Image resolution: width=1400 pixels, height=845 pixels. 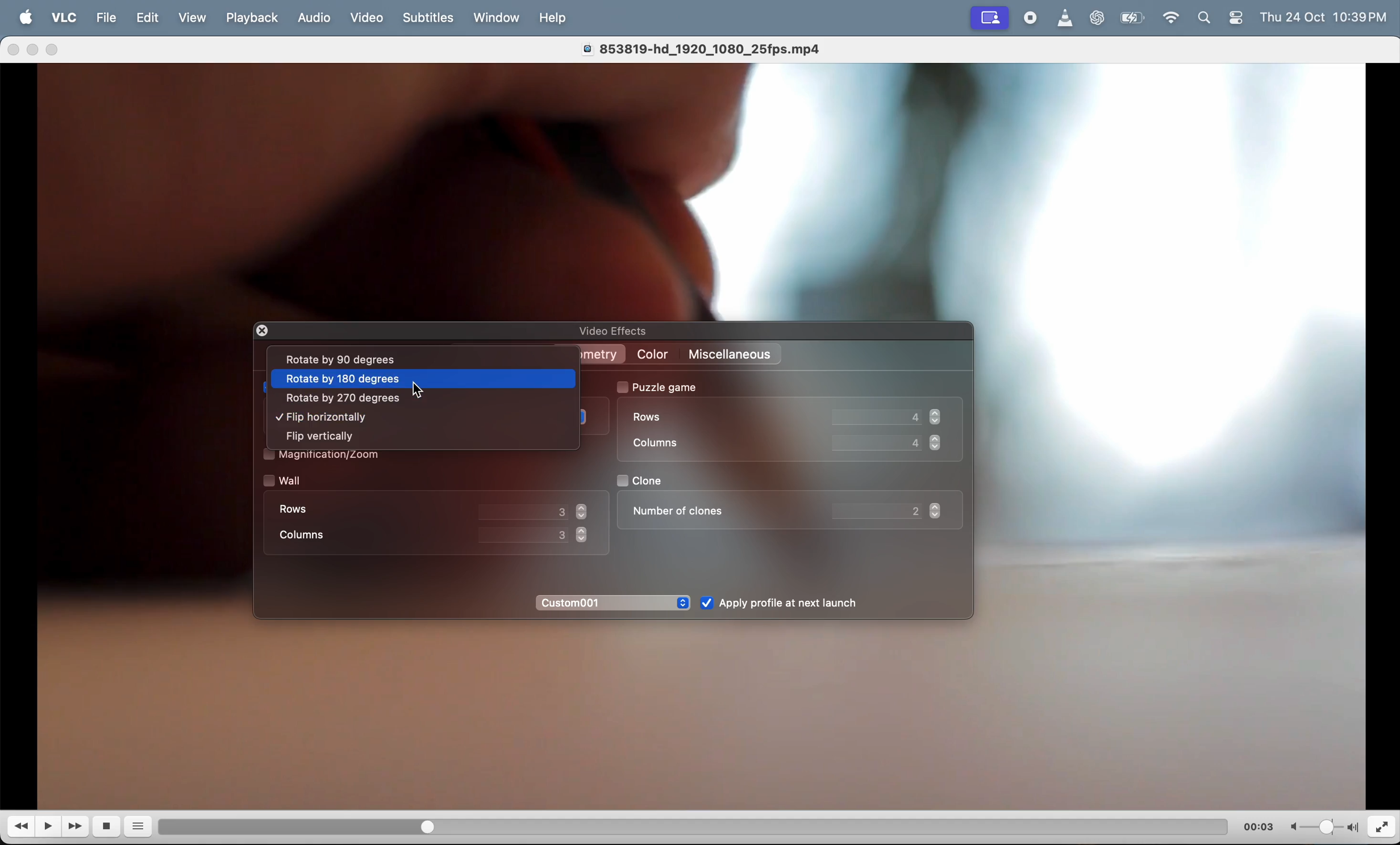 What do you see at coordinates (790, 605) in the screenshot?
I see `Apply after launch` at bounding box center [790, 605].